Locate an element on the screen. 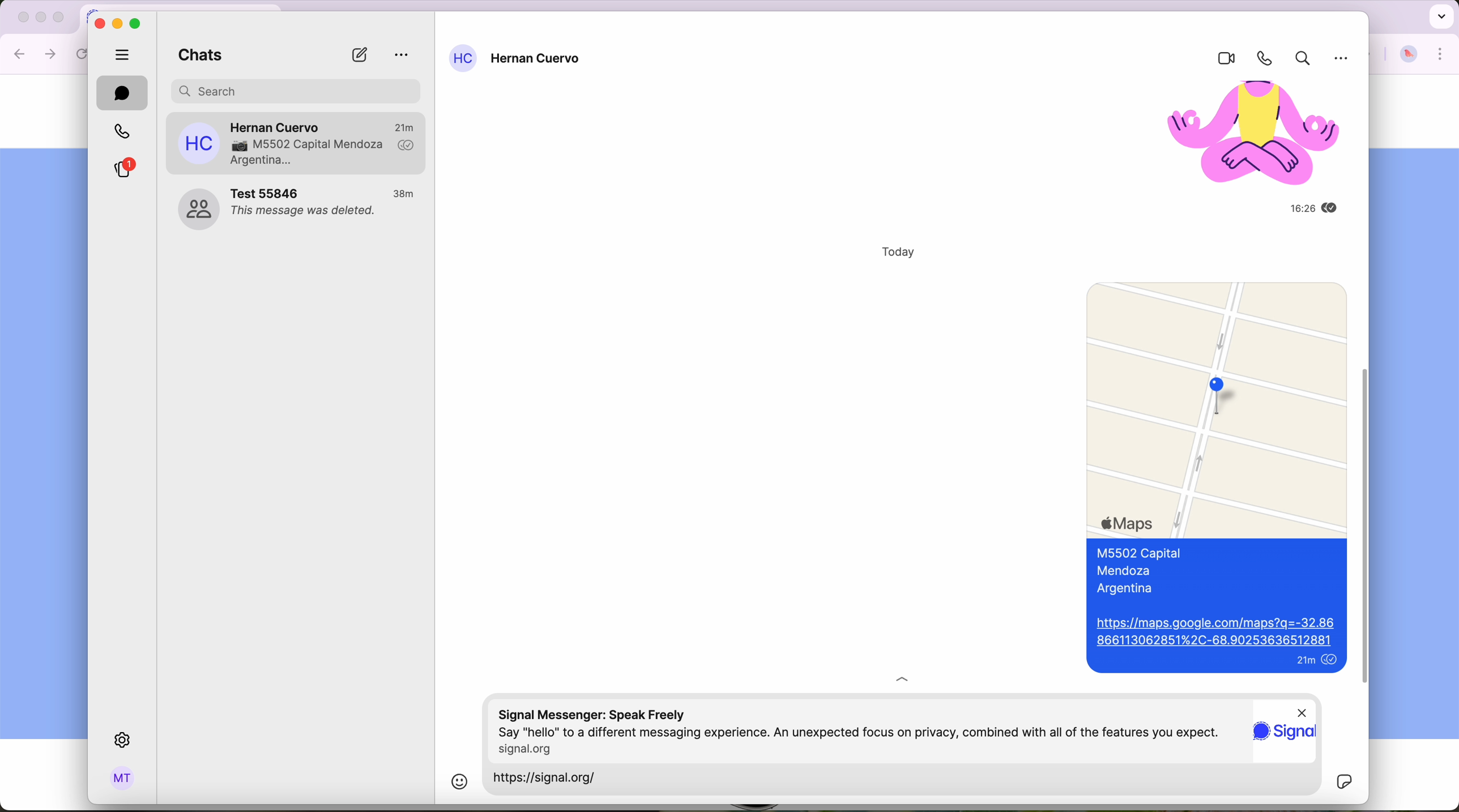  38m is located at coordinates (405, 194).